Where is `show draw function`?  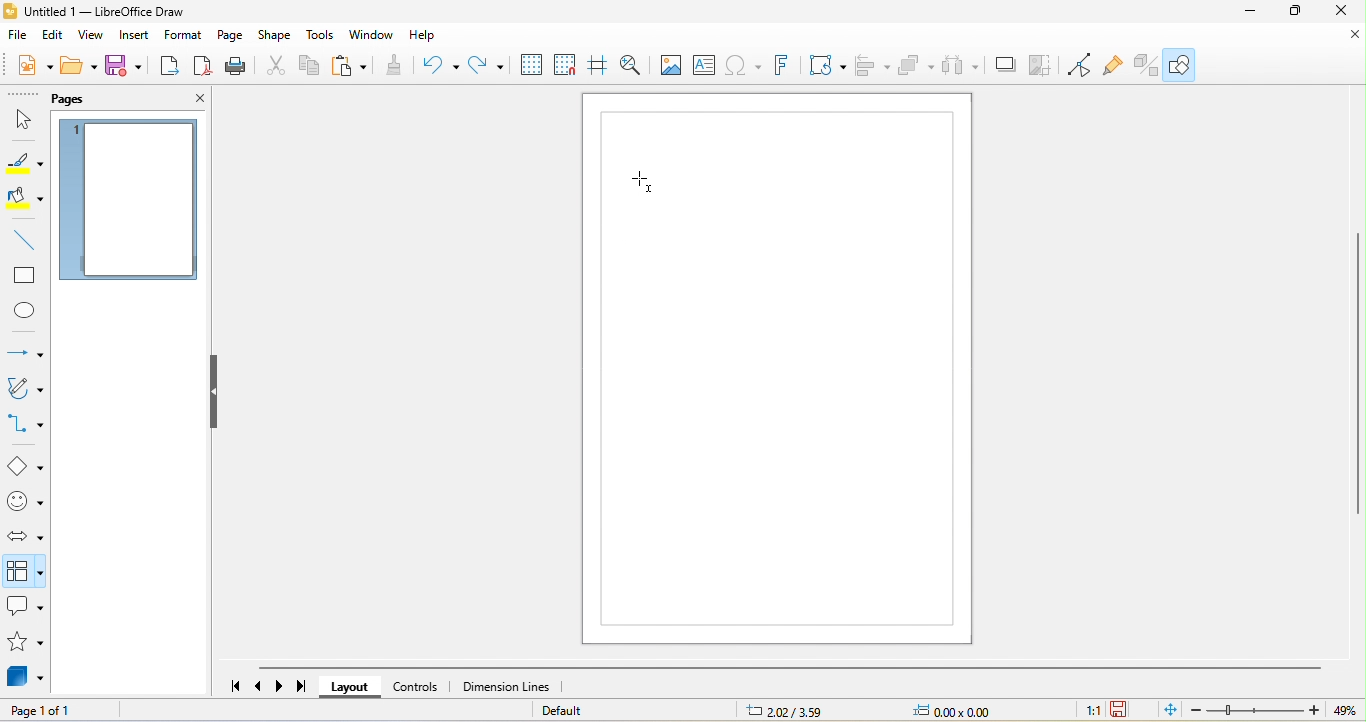 show draw function is located at coordinates (1179, 65).